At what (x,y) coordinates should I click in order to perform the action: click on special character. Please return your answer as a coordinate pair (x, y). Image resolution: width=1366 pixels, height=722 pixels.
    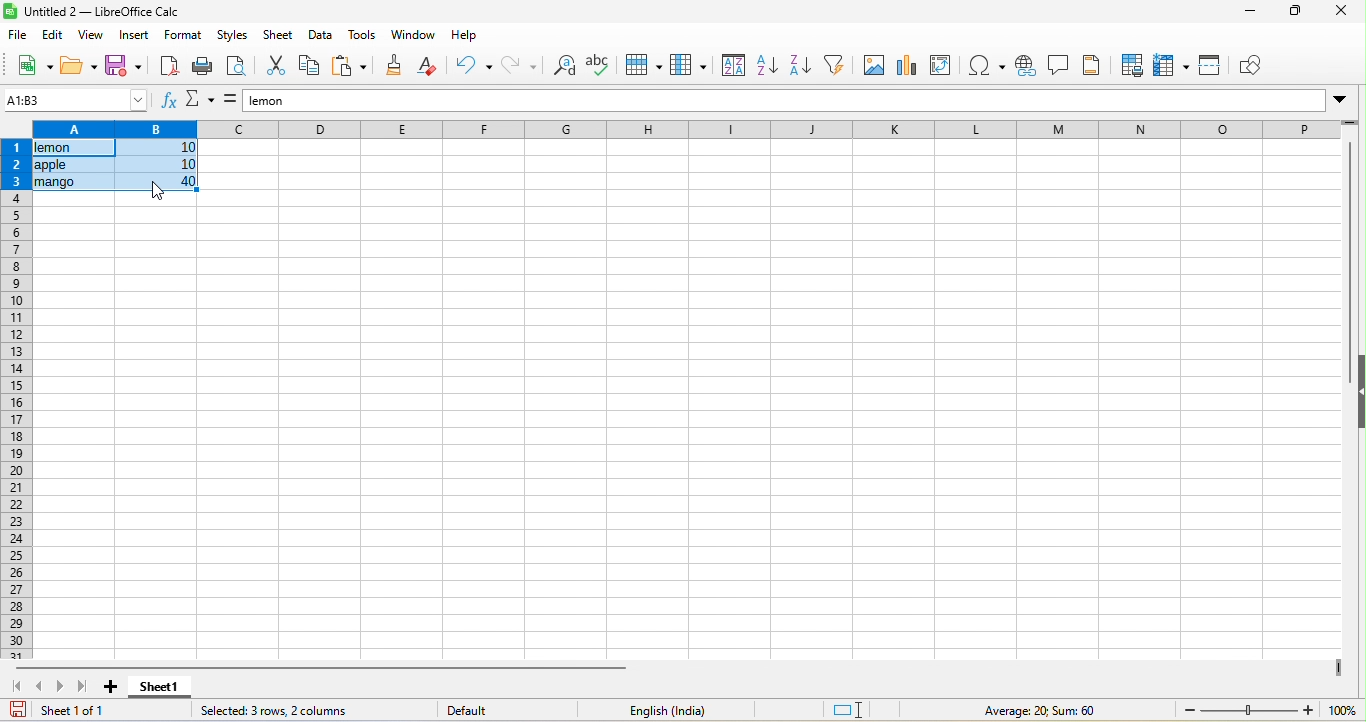
    Looking at the image, I should click on (984, 67).